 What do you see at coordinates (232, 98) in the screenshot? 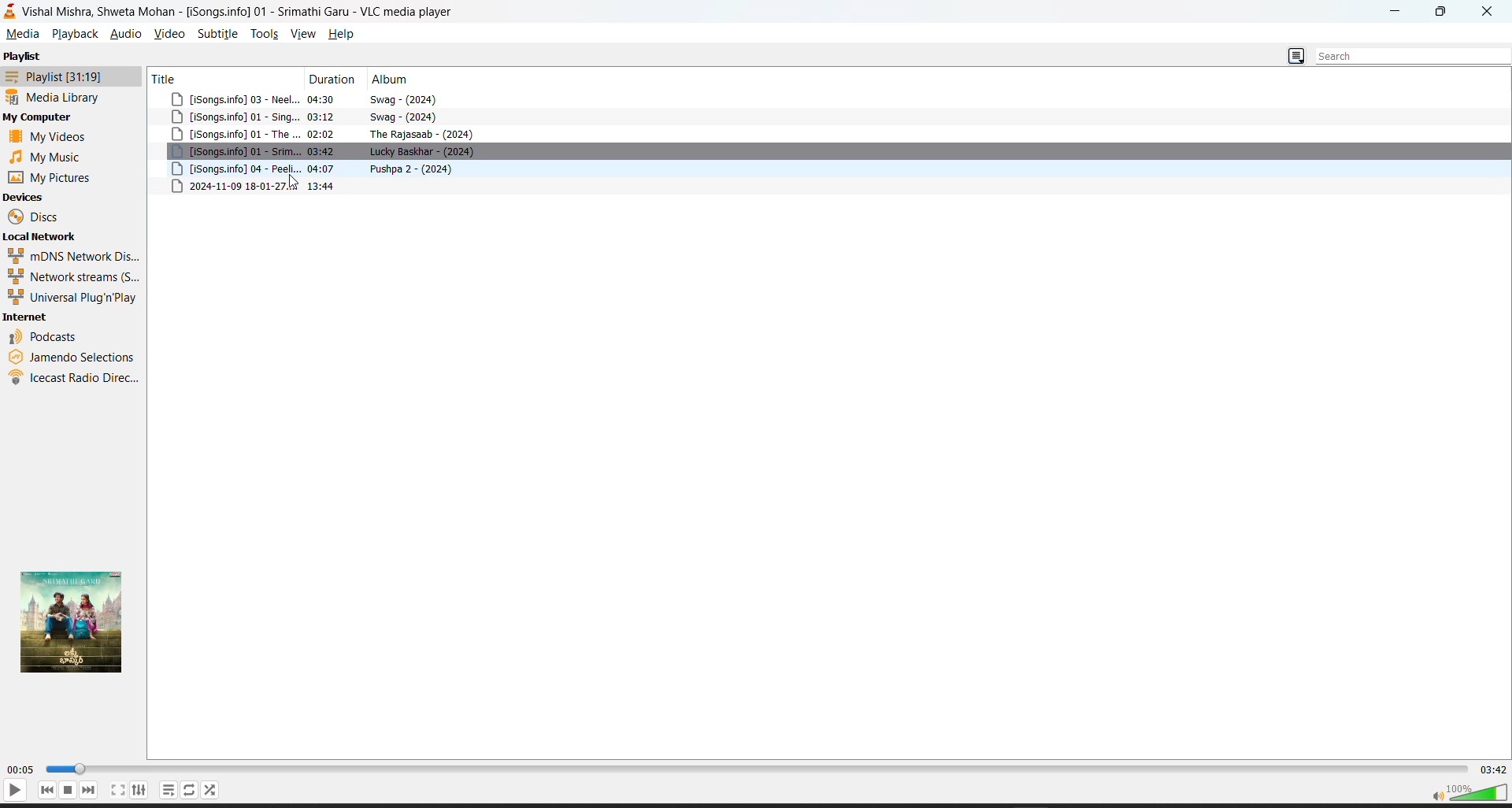
I see `songs info 03 neel` at bounding box center [232, 98].